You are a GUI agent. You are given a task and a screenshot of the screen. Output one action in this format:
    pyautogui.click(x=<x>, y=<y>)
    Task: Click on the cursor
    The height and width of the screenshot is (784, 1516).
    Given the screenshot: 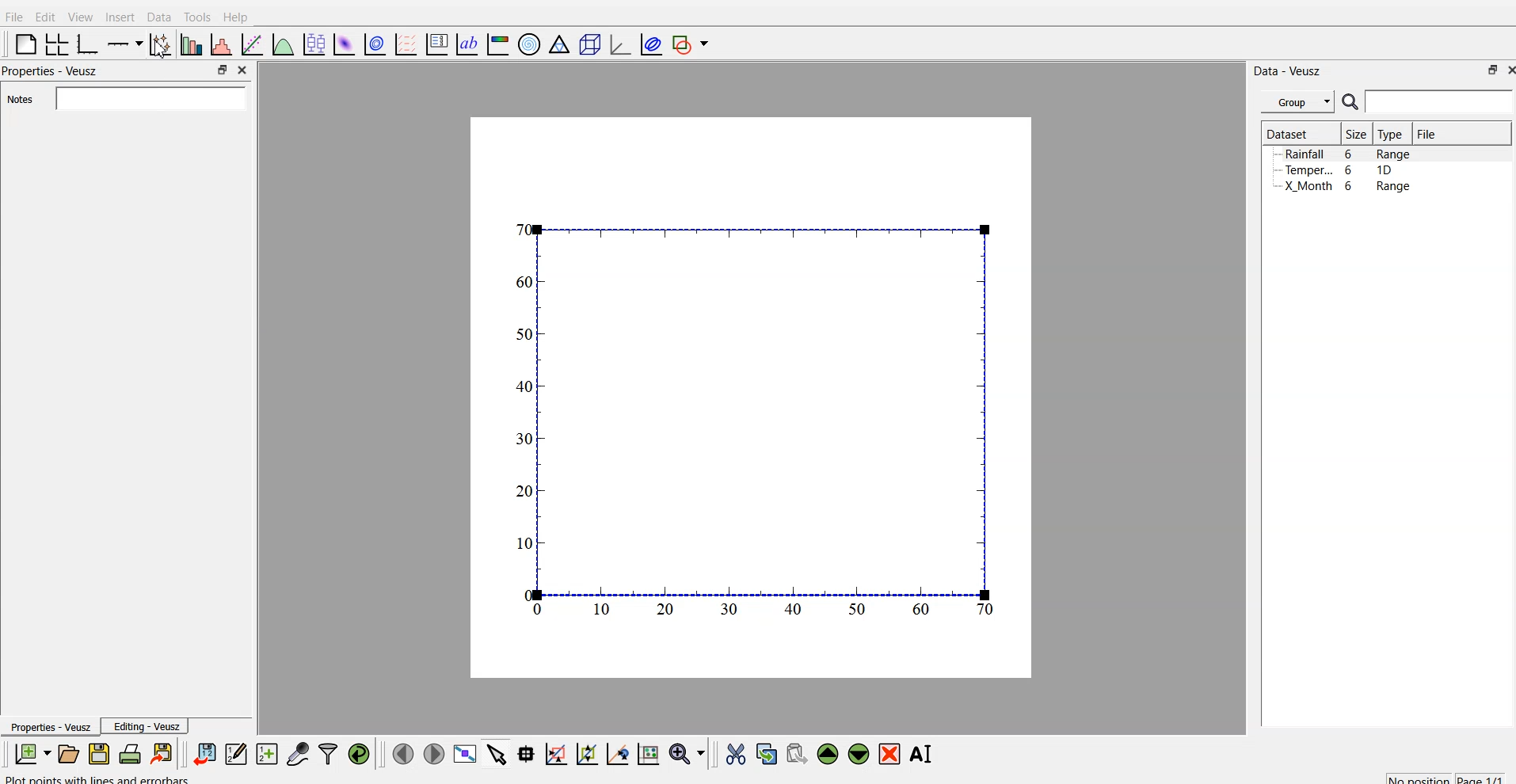 What is the action you would take?
    pyautogui.click(x=159, y=52)
    